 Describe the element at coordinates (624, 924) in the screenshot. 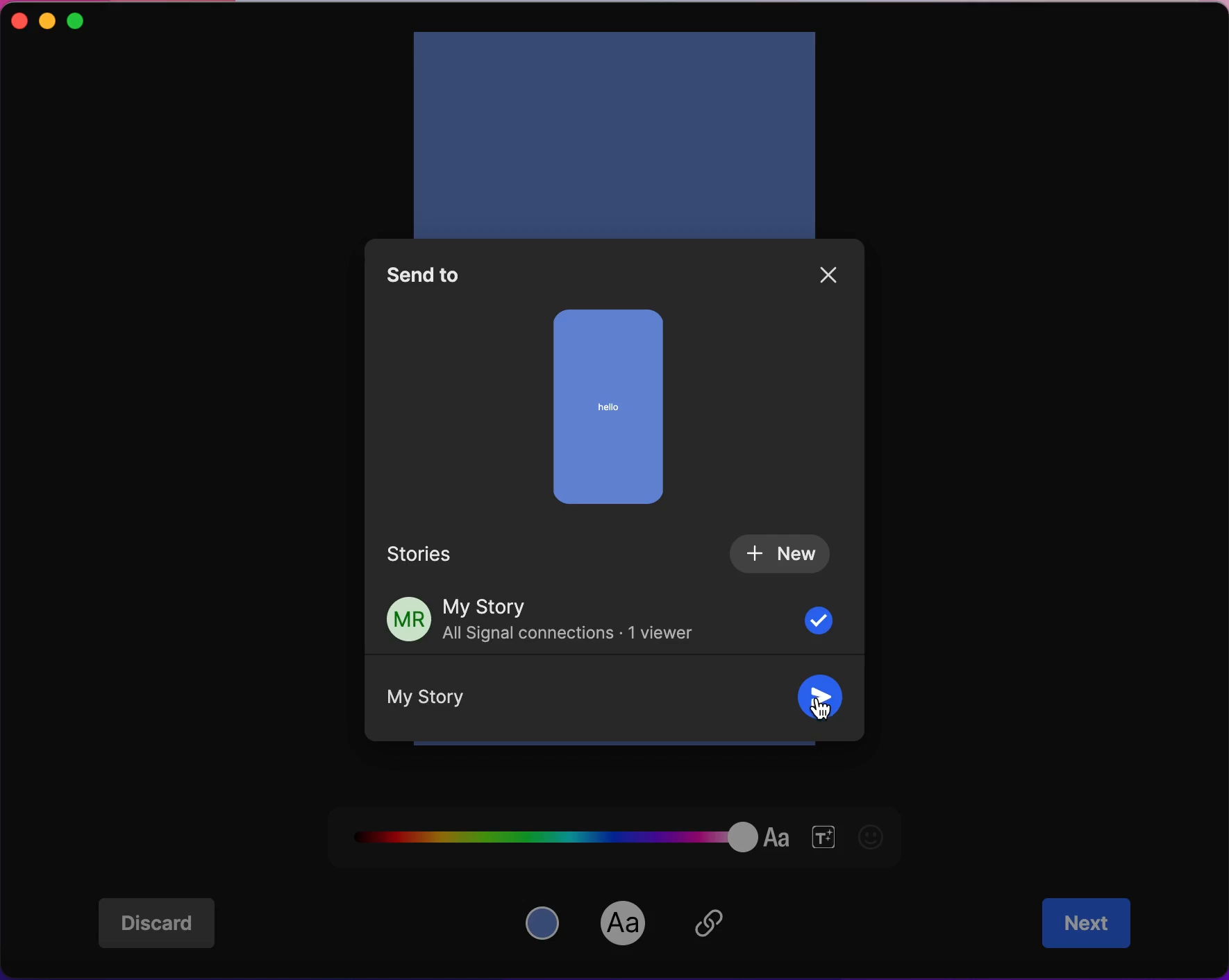

I see `font` at that location.